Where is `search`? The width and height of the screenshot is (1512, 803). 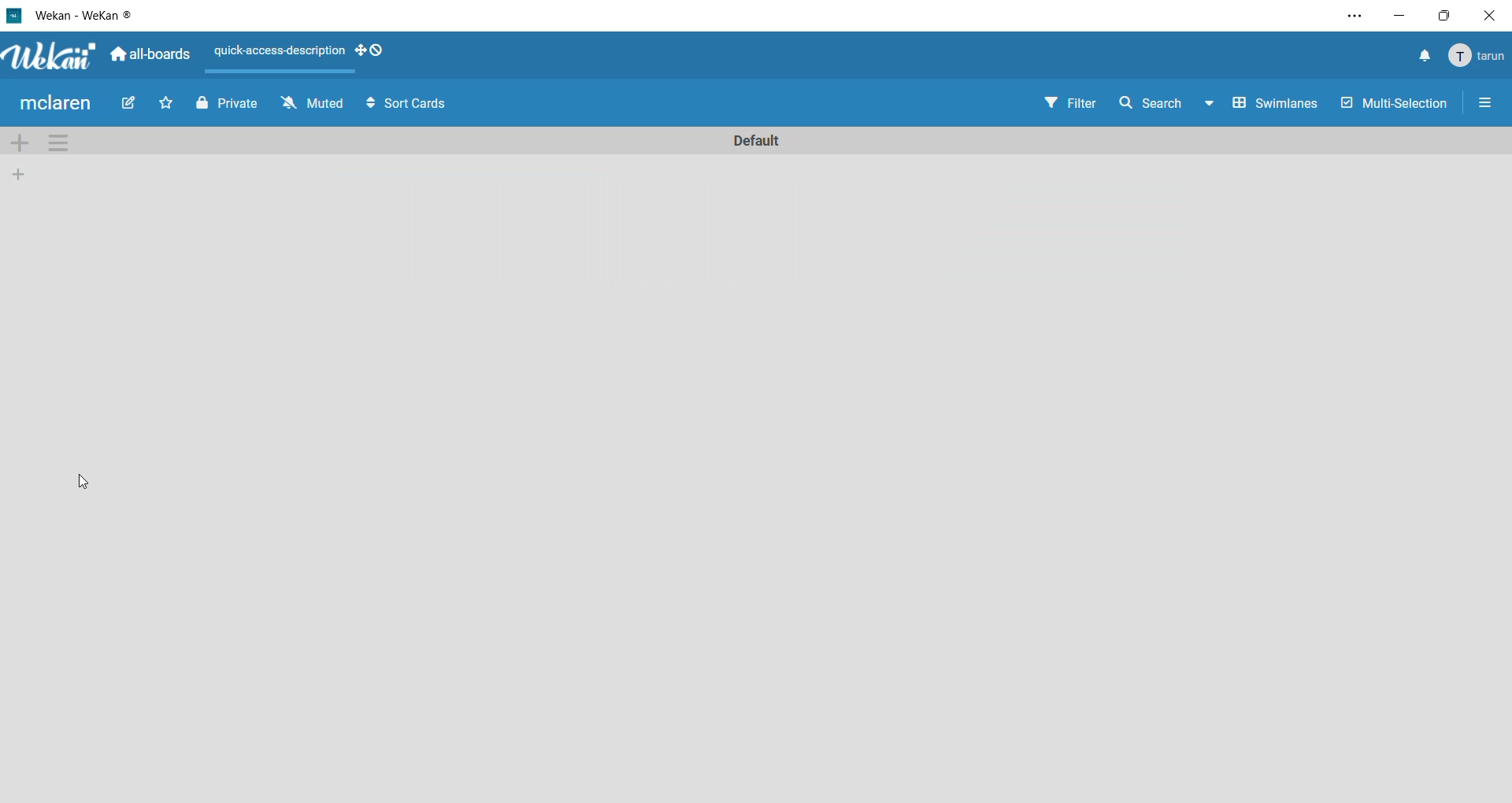 search is located at coordinates (1165, 102).